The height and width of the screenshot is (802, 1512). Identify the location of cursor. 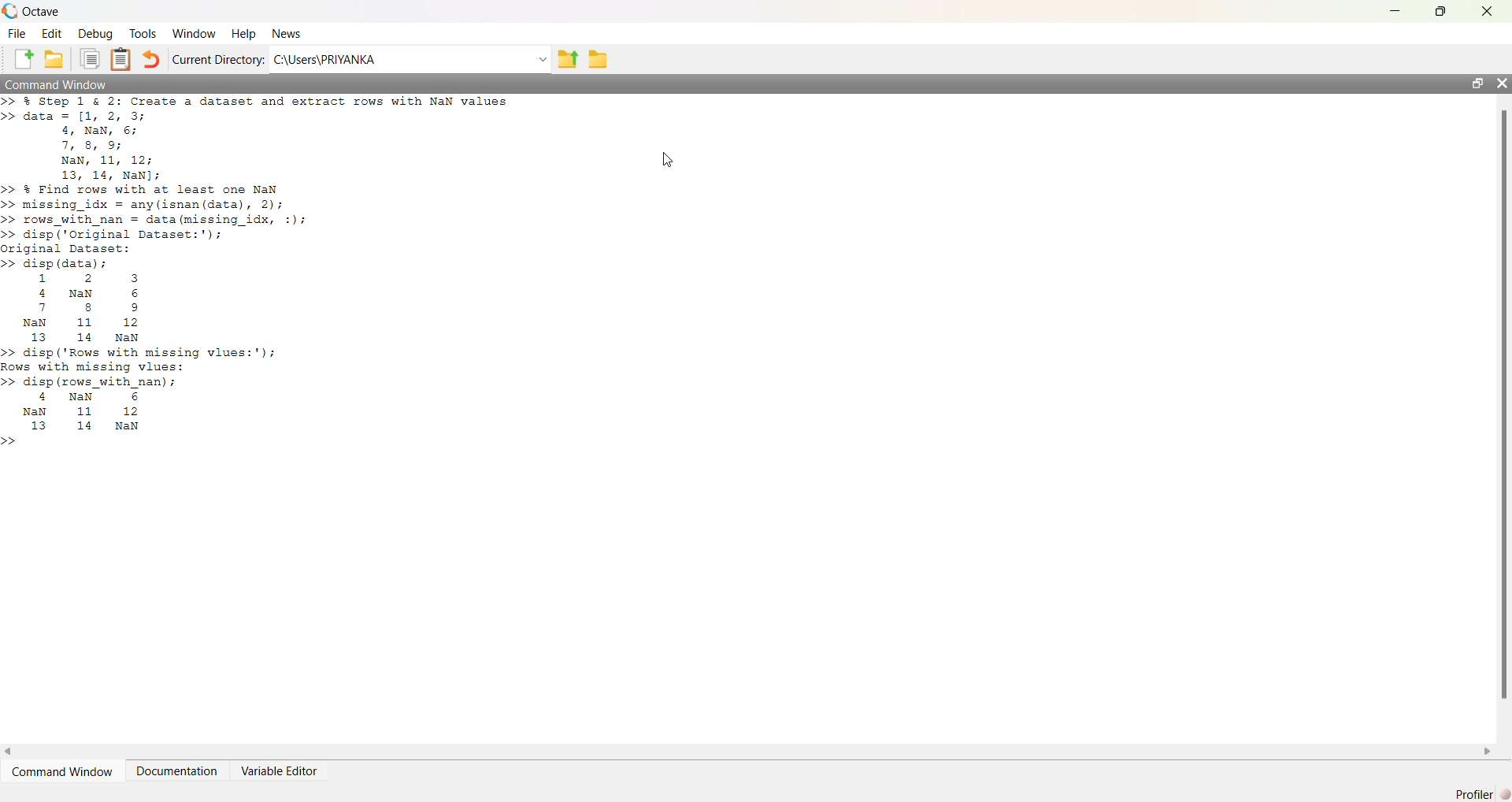
(669, 160).